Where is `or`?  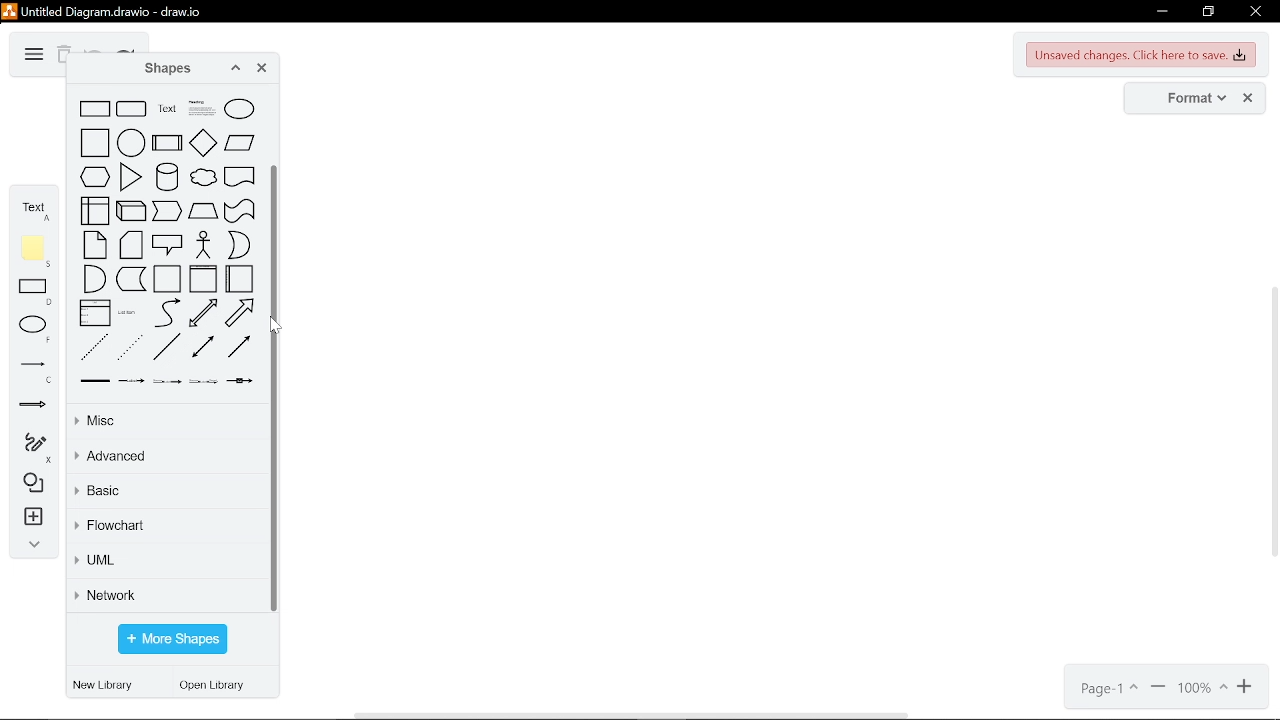
or is located at coordinates (239, 245).